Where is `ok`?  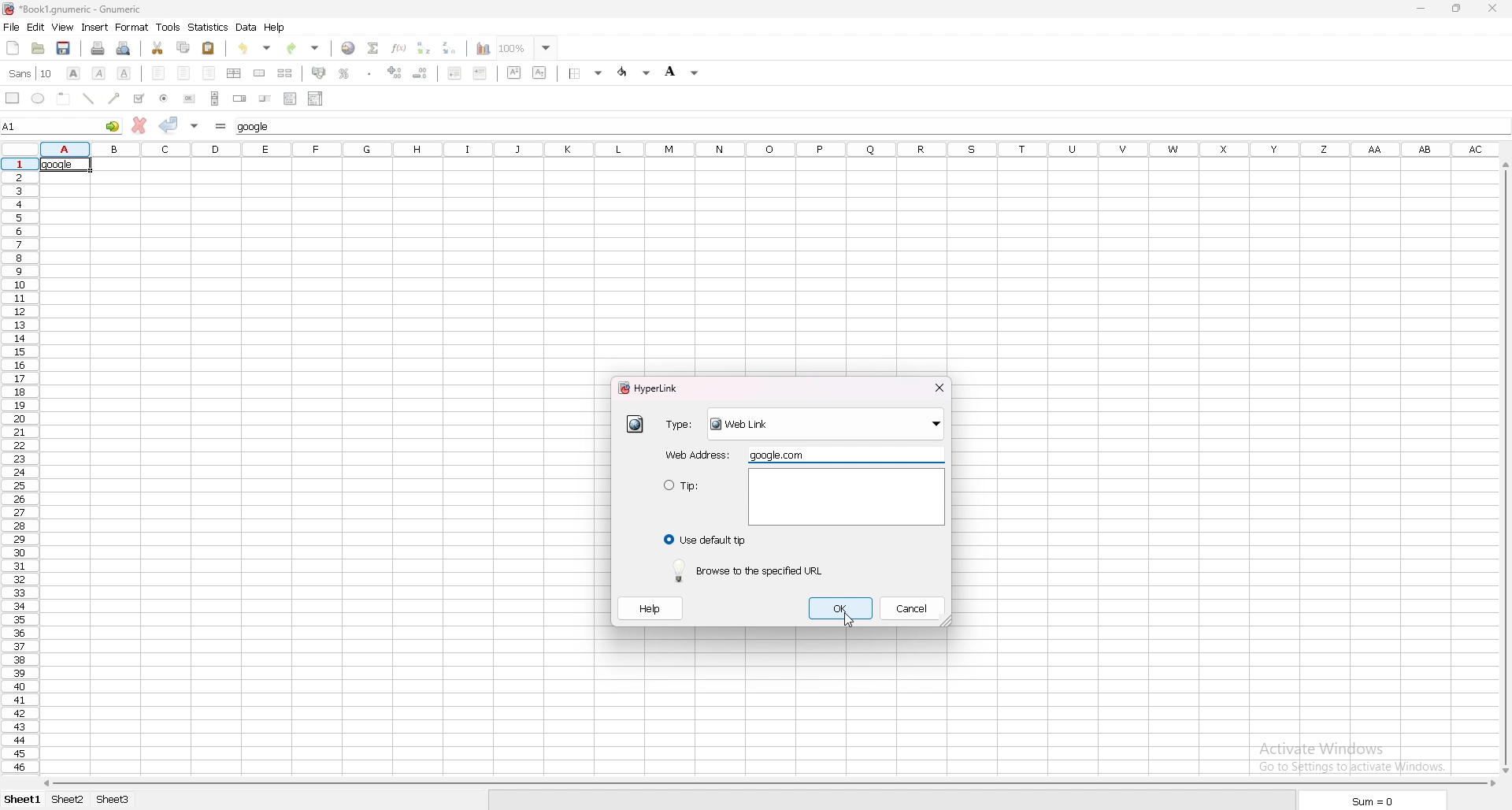 ok is located at coordinates (841, 607).